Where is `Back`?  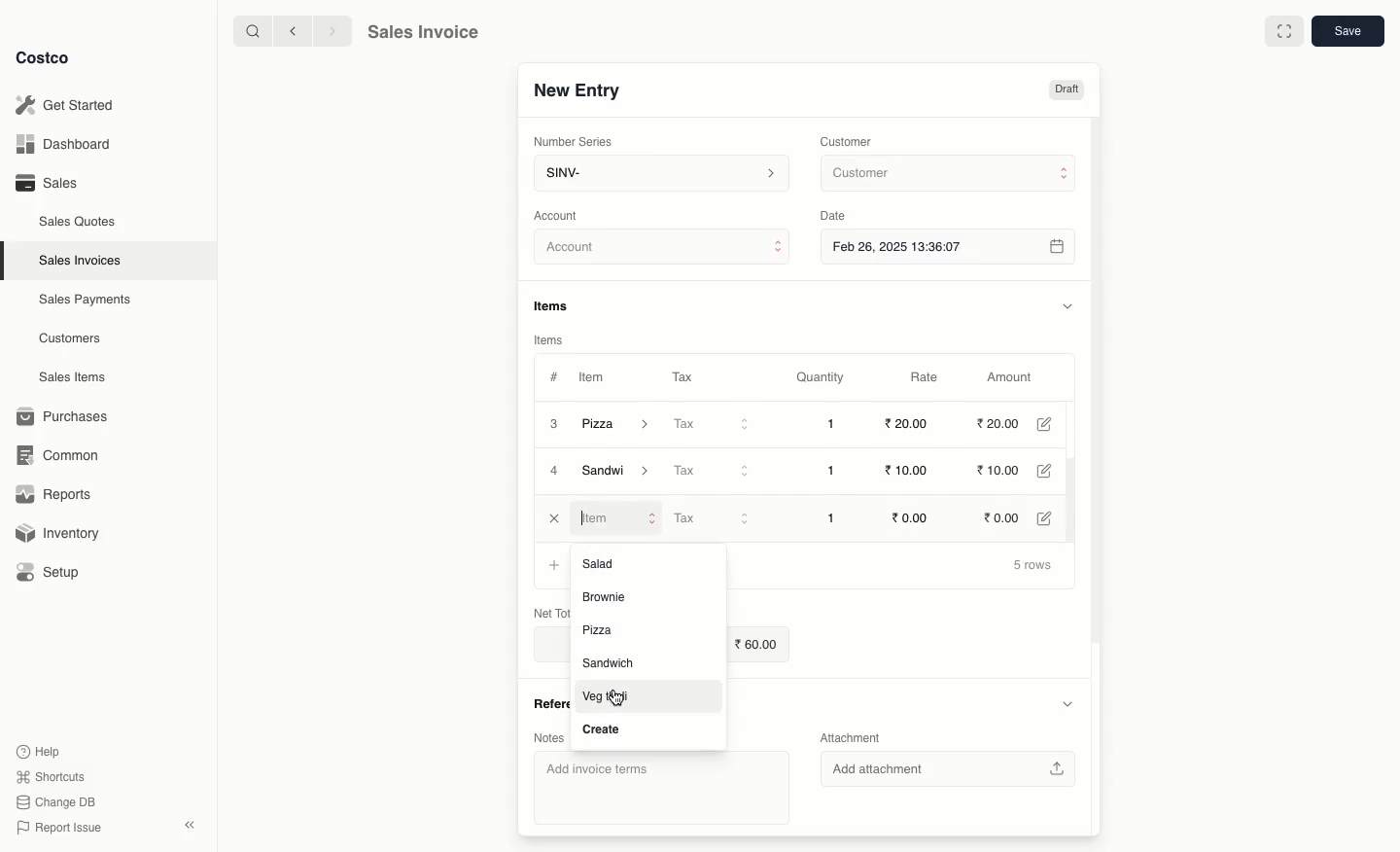 Back is located at coordinates (291, 31).